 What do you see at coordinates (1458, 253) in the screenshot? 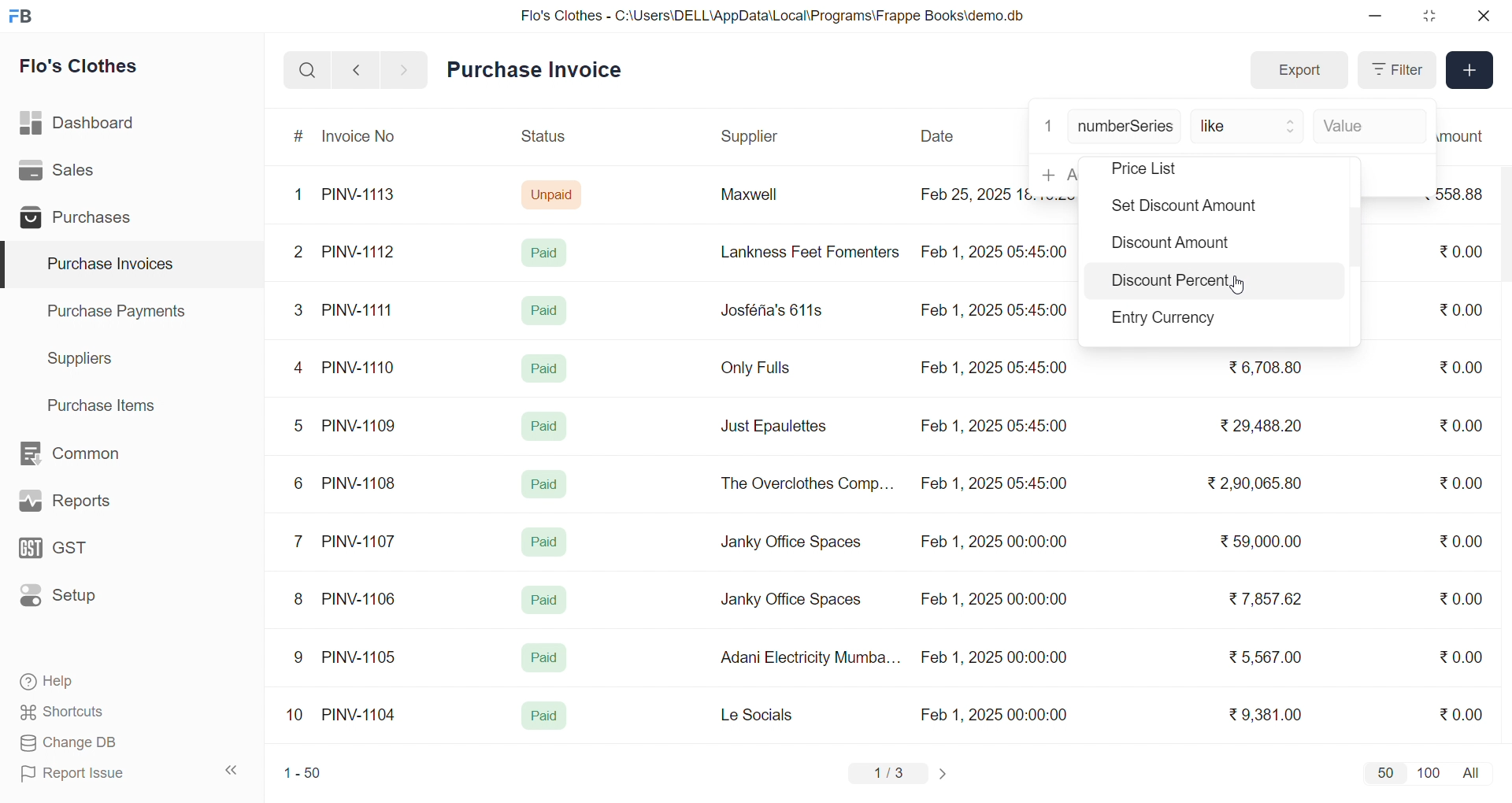
I see `₹0.00` at bounding box center [1458, 253].